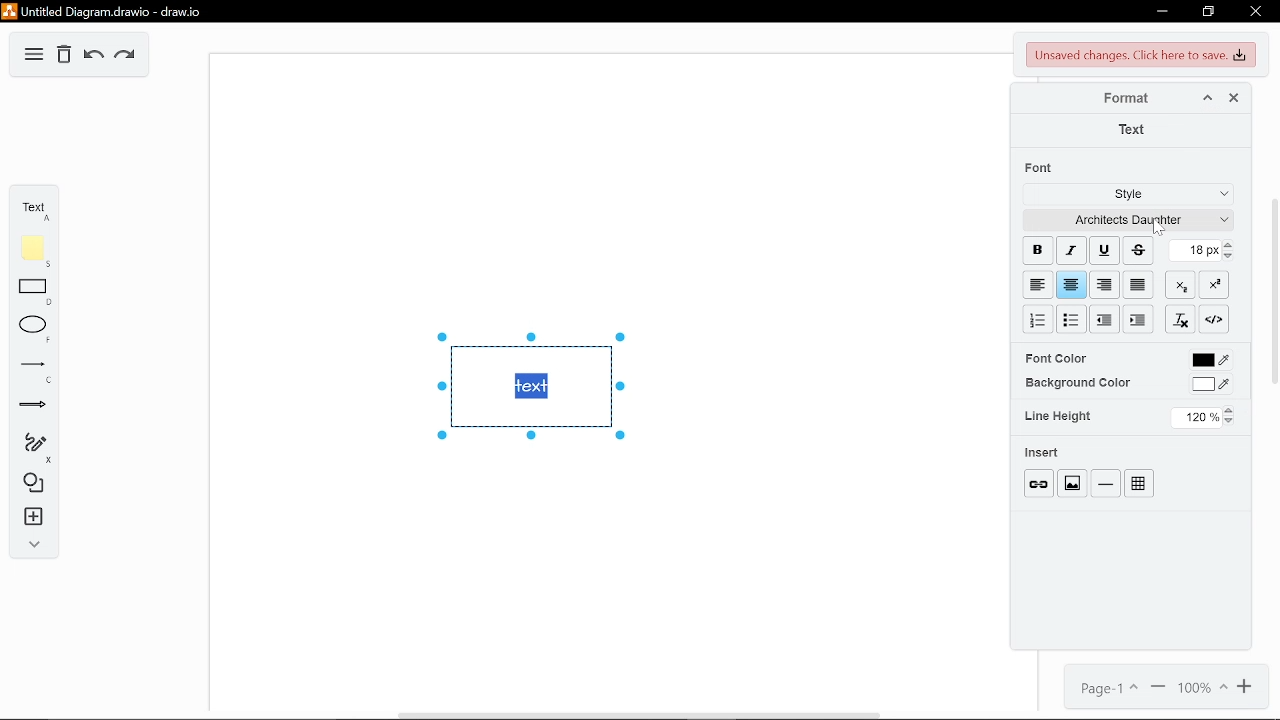 This screenshot has height=720, width=1280. Describe the element at coordinates (1274, 290) in the screenshot. I see `vertical scrollbar` at that location.